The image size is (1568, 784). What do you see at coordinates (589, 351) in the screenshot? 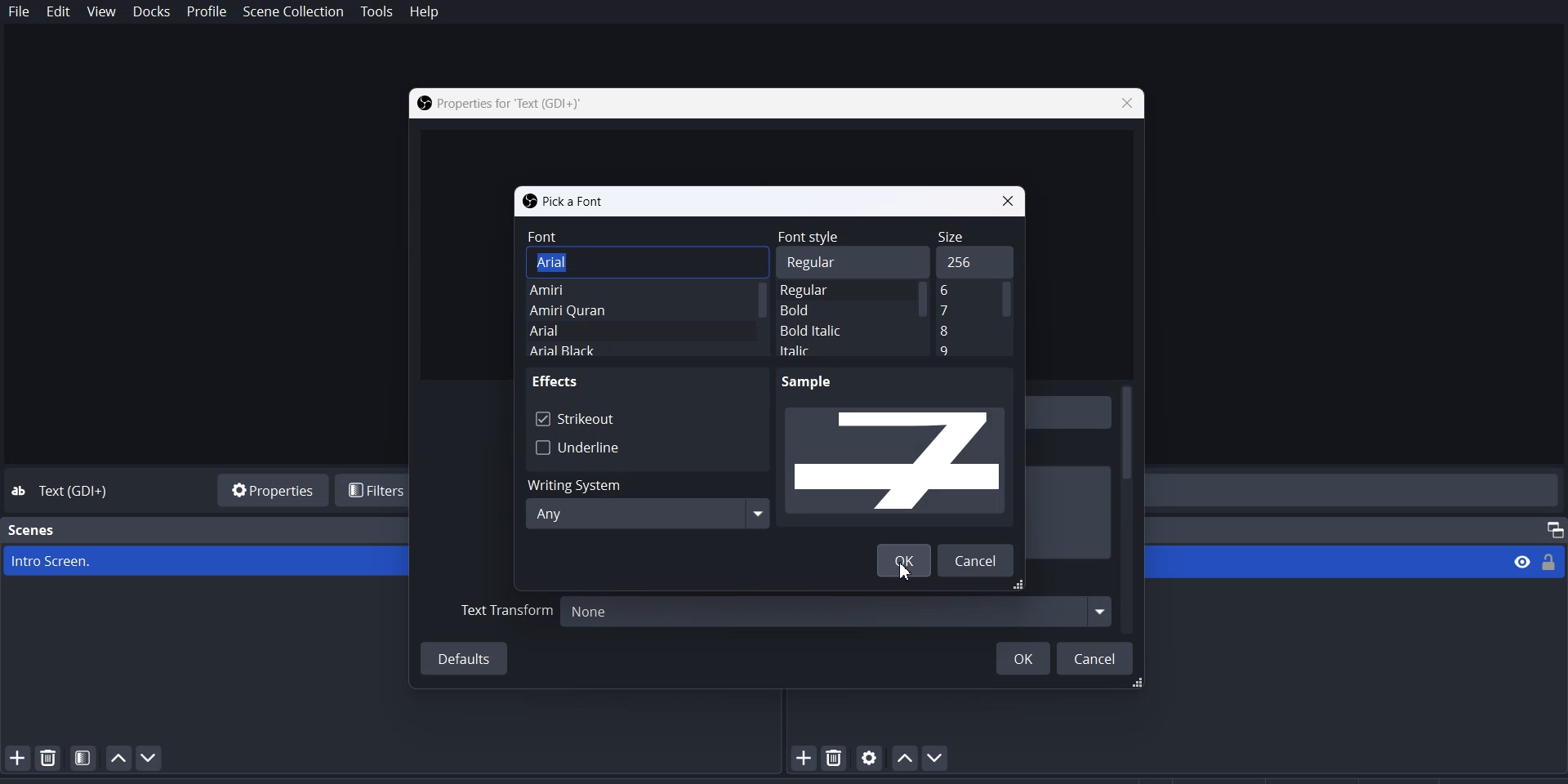
I see `Arial Black` at bounding box center [589, 351].